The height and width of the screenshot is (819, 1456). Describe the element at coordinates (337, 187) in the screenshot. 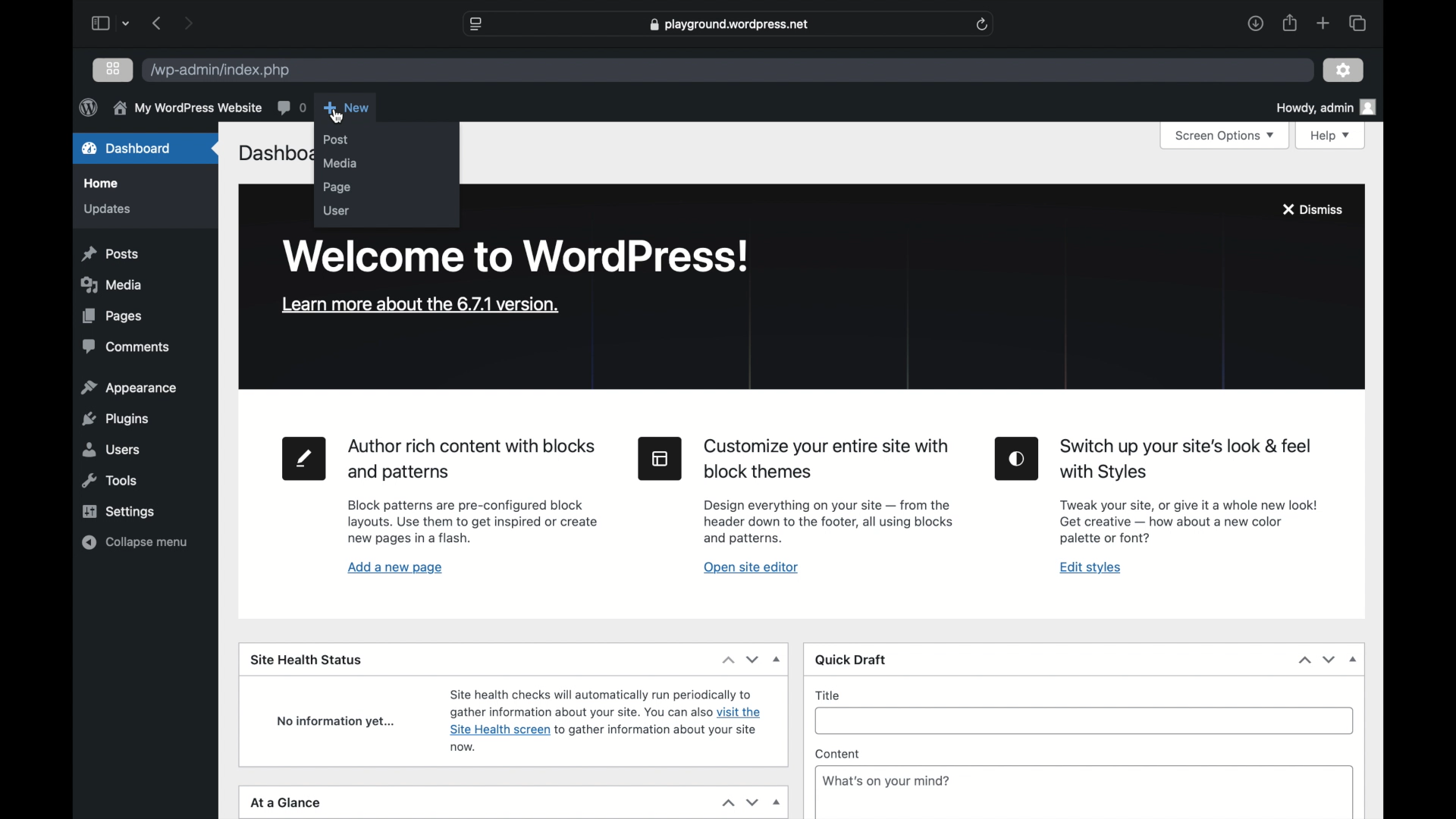

I see `page` at that location.